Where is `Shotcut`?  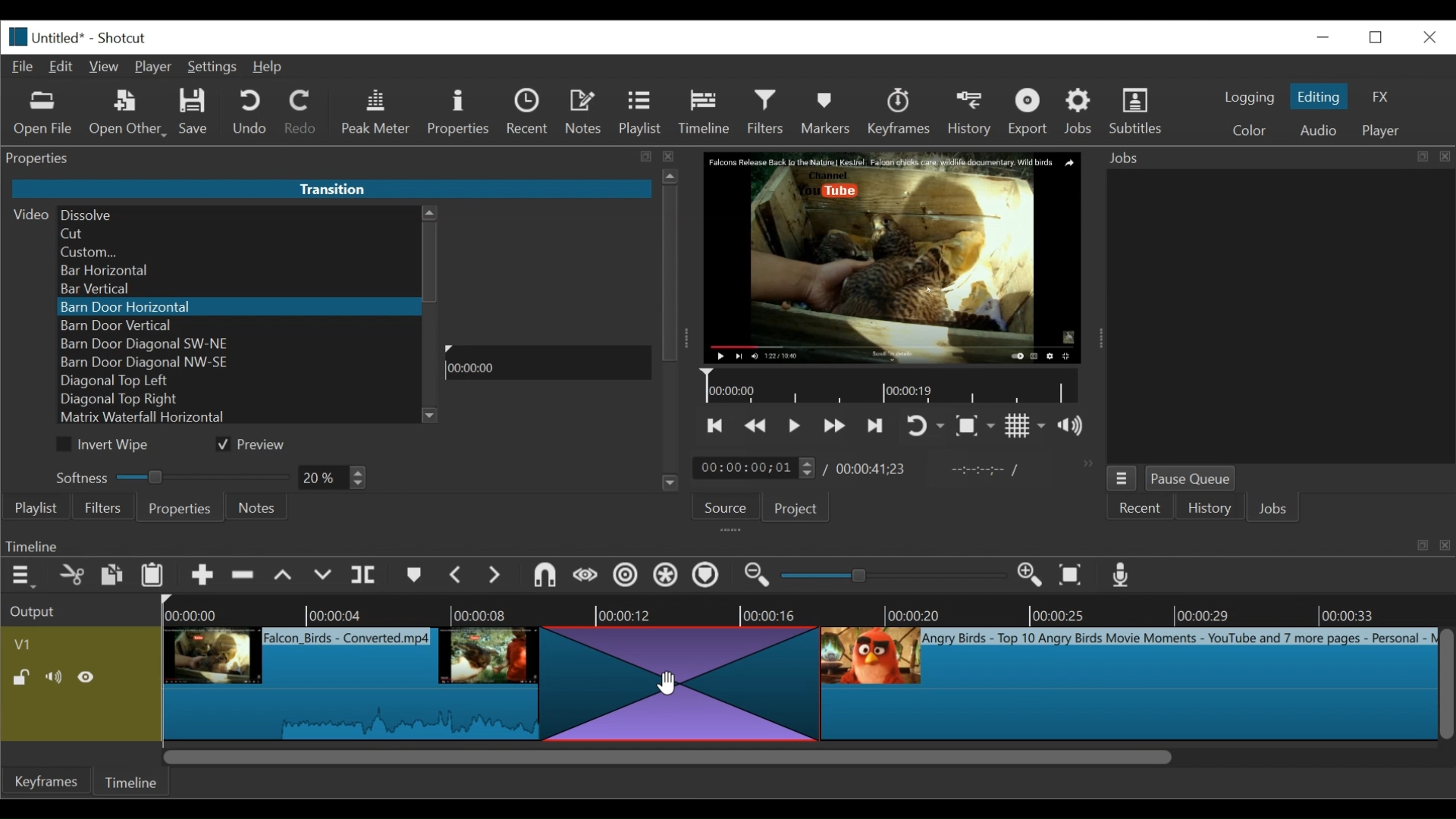
Shotcut is located at coordinates (121, 37).